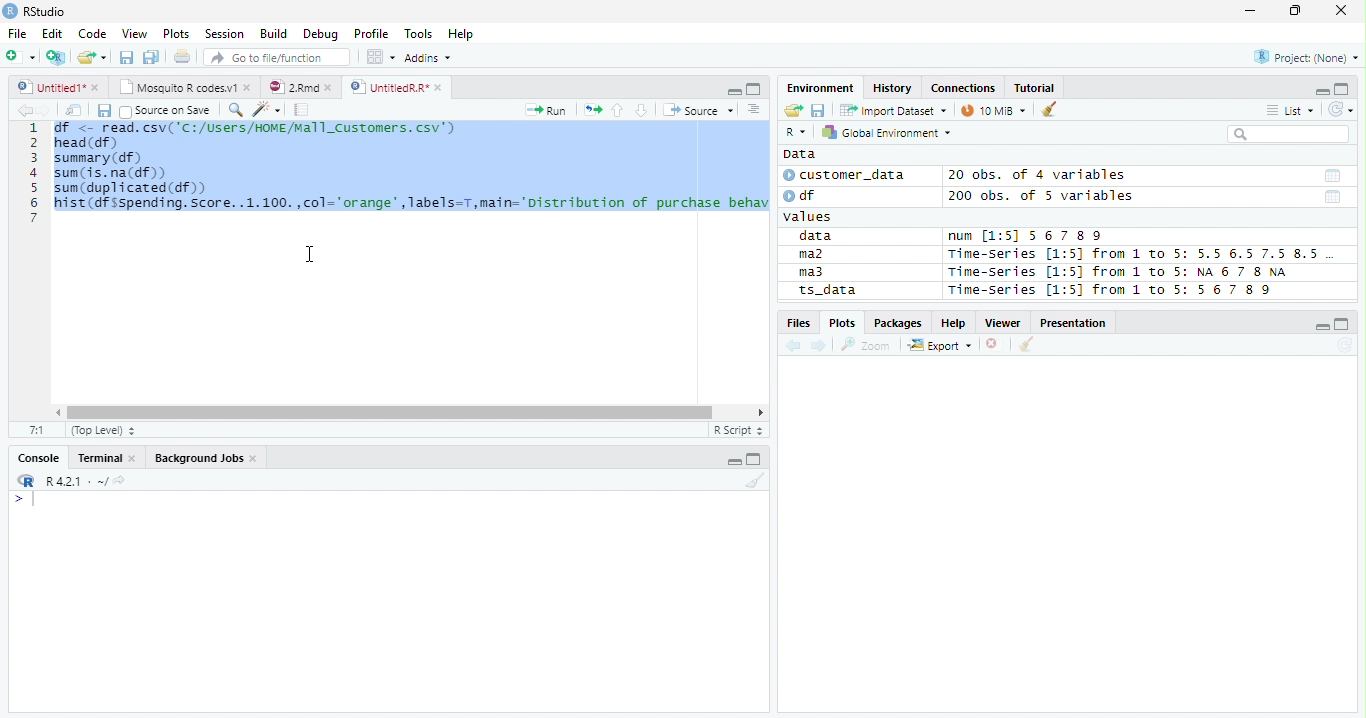  What do you see at coordinates (430, 57) in the screenshot?
I see `Addins` at bounding box center [430, 57].